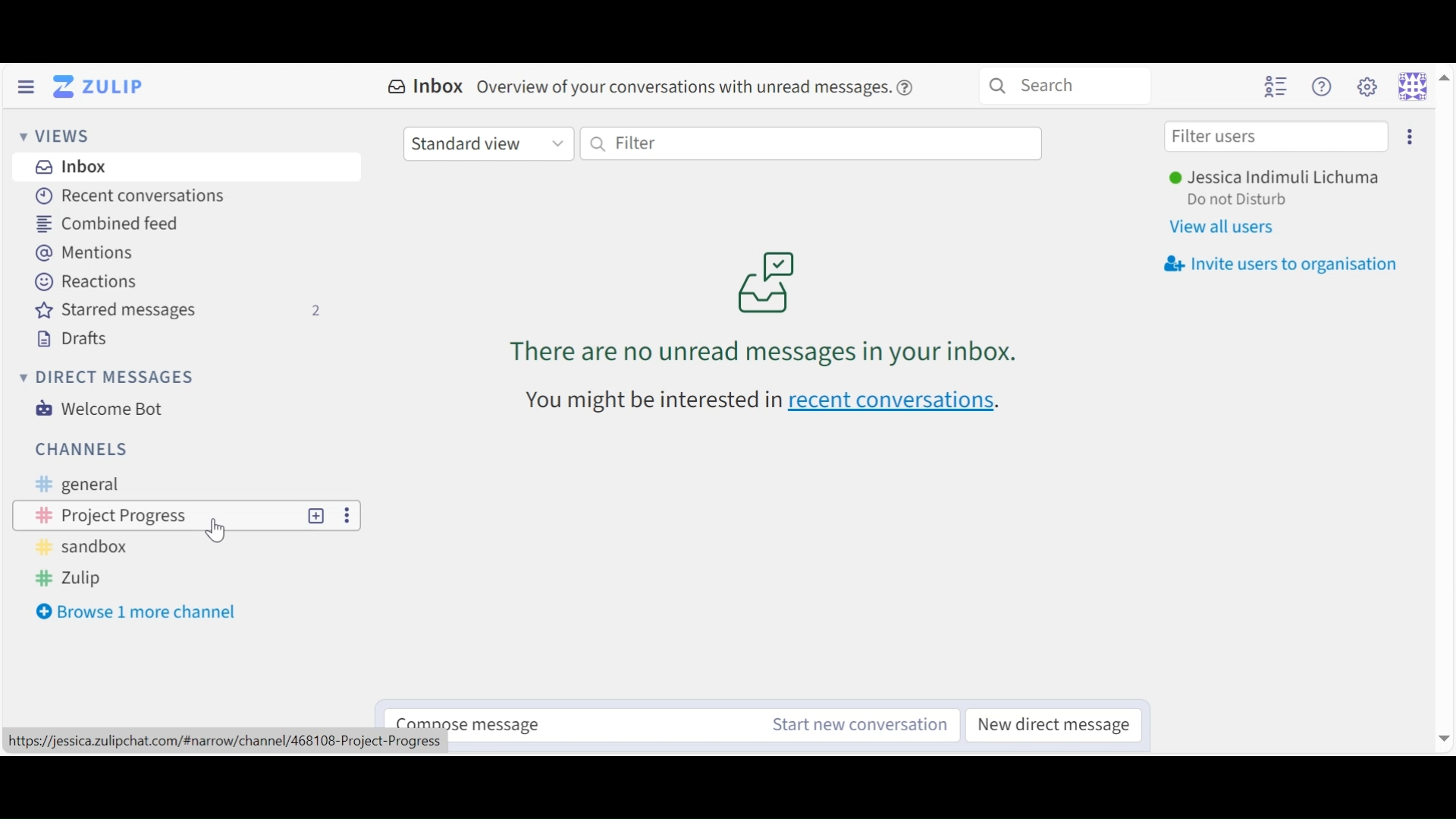 The width and height of the screenshot is (1456, 819). What do you see at coordinates (1423, 86) in the screenshot?
I see `Personal menu` at bounding box center [1423, 86].